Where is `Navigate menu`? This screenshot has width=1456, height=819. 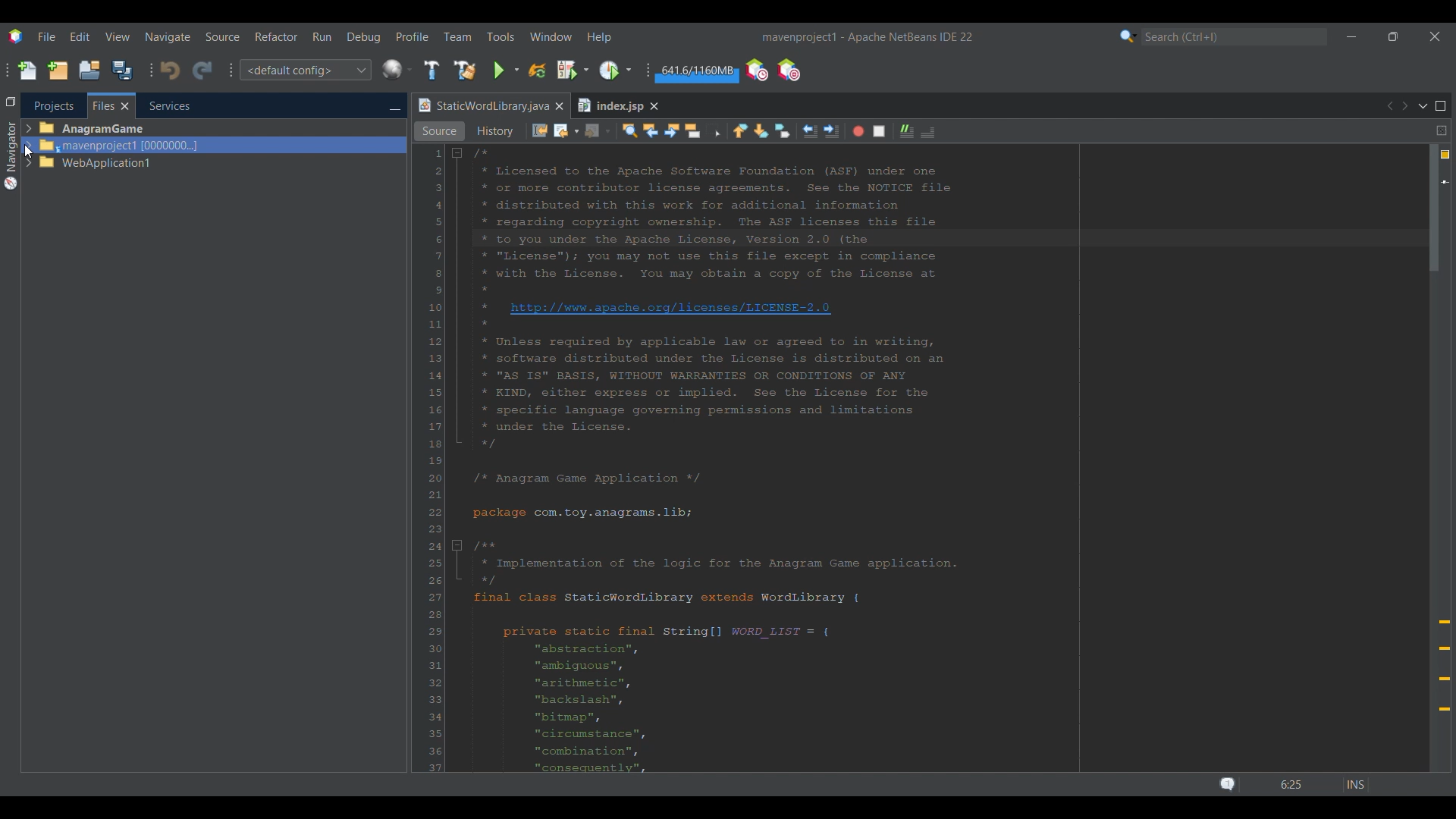
Navigate menu is located at coordinates (168, 37).